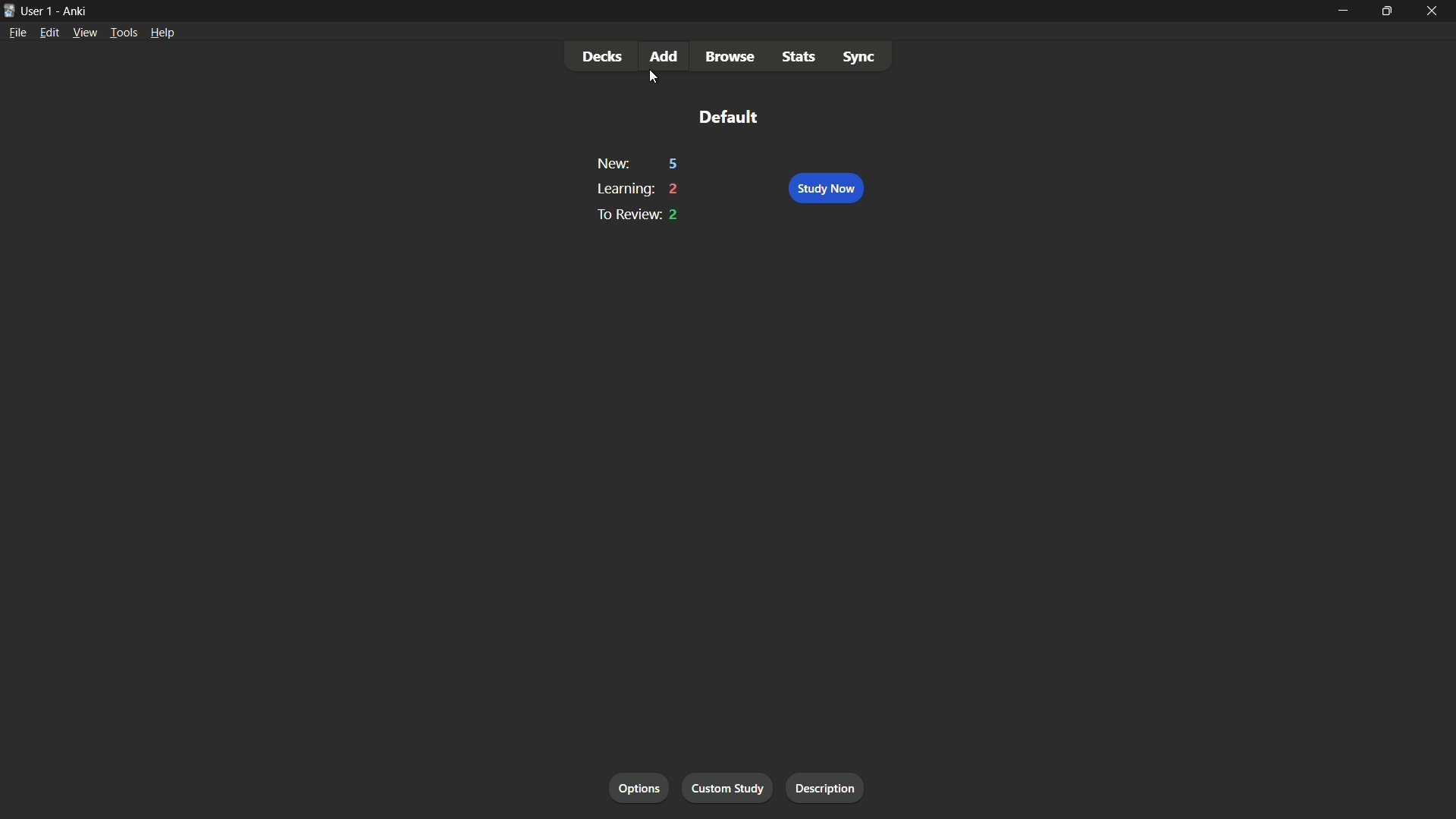  What do you see at coordinates (1341, 11) in the screenshot?
I see `minimize` at bounding box center [1341, 11].